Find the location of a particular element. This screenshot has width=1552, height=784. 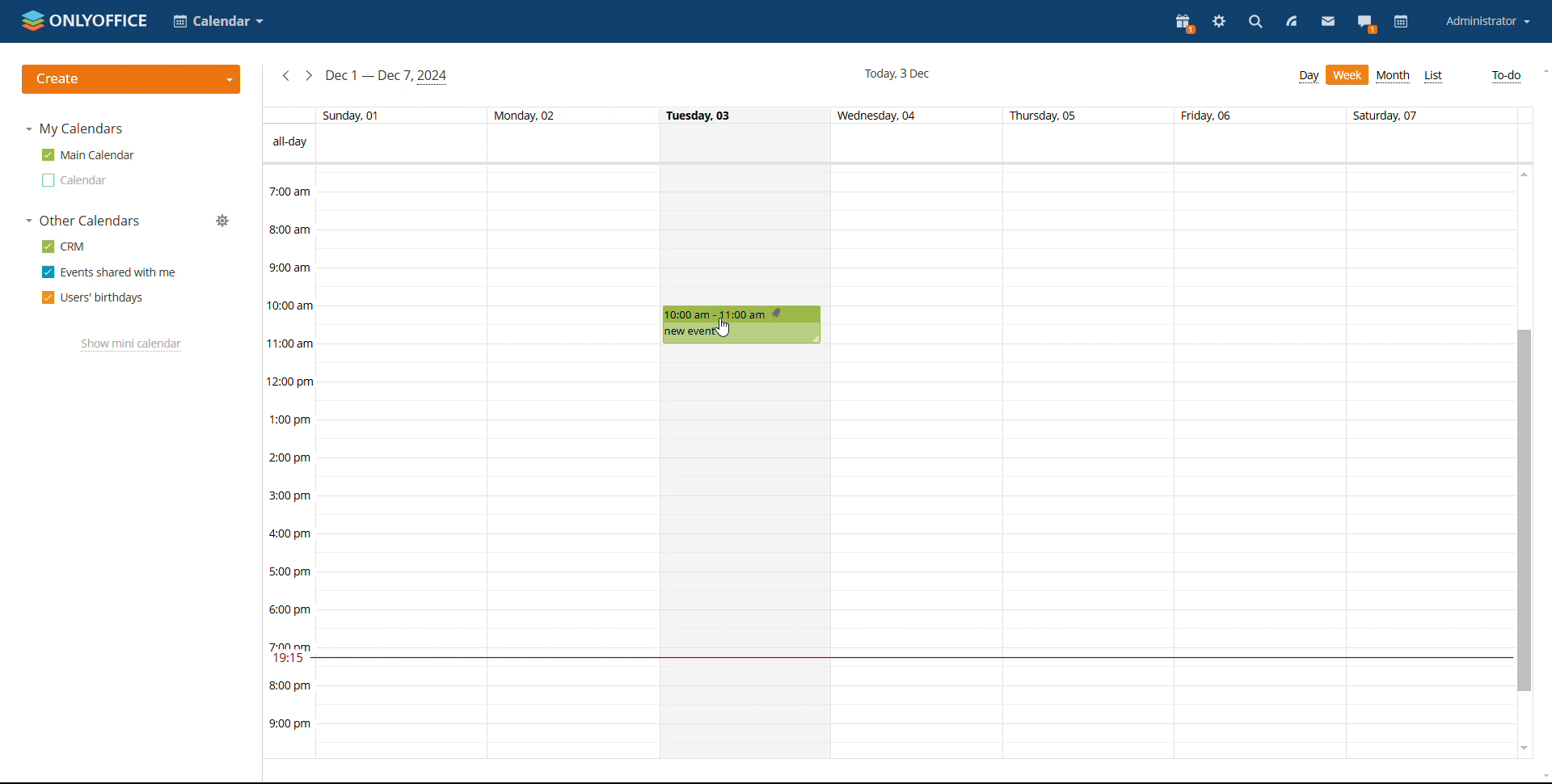

Wednesday, 04 is located at coordinates (880, 116).